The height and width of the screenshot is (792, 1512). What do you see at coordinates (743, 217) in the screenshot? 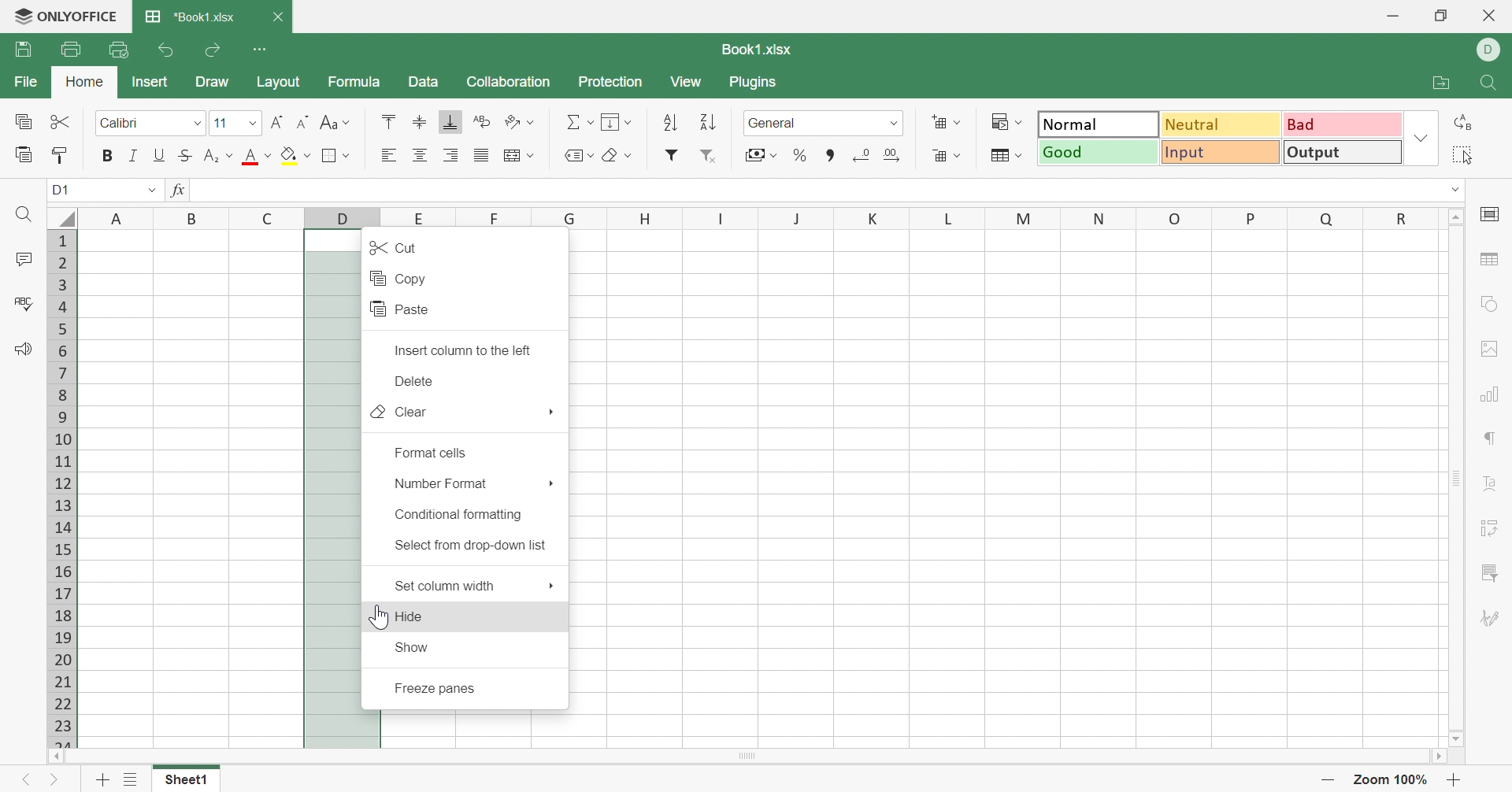
I see `Column Names` at bounding box center [743, 217].